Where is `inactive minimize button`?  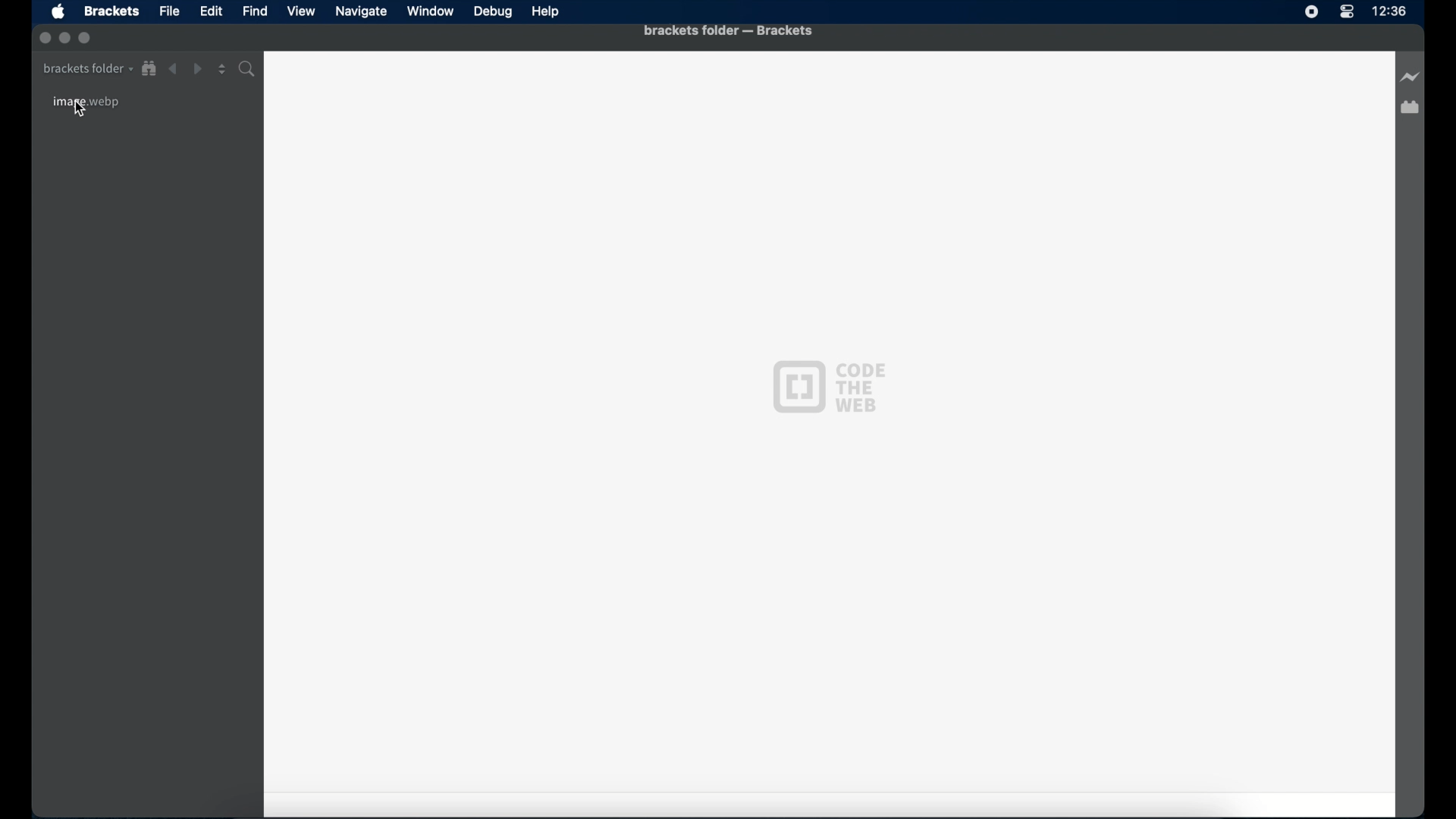
inactive minimize button is located at coordinates (64, 39).